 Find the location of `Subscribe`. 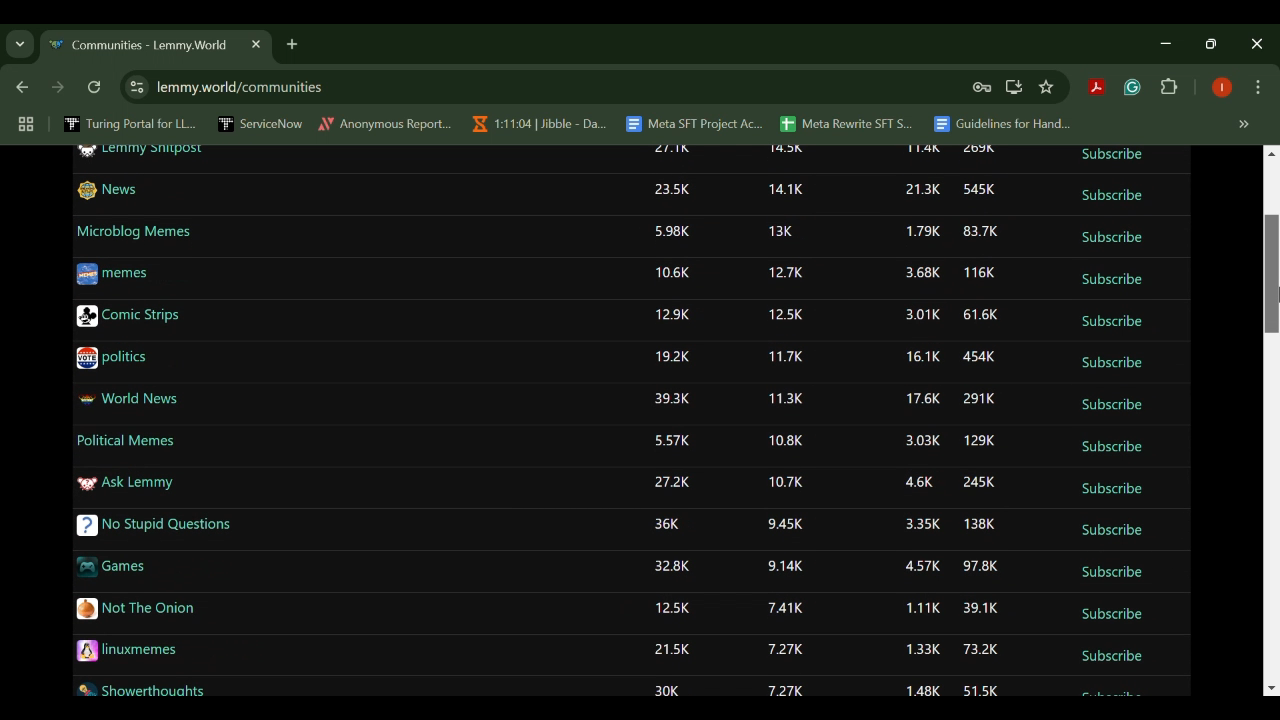

Subscribe is located at coordinates (1113, 406).